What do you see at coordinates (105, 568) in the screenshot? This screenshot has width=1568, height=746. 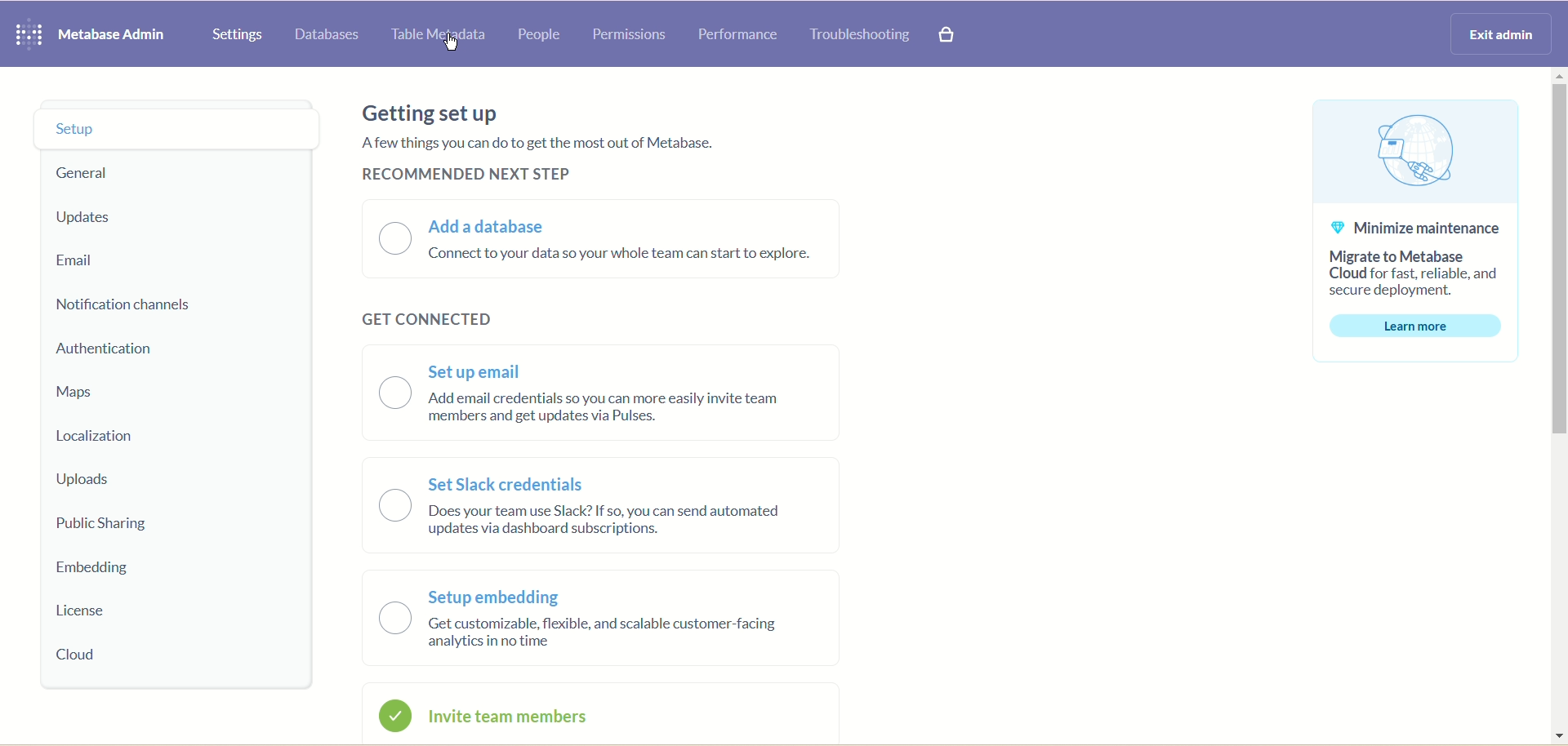 I see `Embedding` at bounding box center [105, 568].